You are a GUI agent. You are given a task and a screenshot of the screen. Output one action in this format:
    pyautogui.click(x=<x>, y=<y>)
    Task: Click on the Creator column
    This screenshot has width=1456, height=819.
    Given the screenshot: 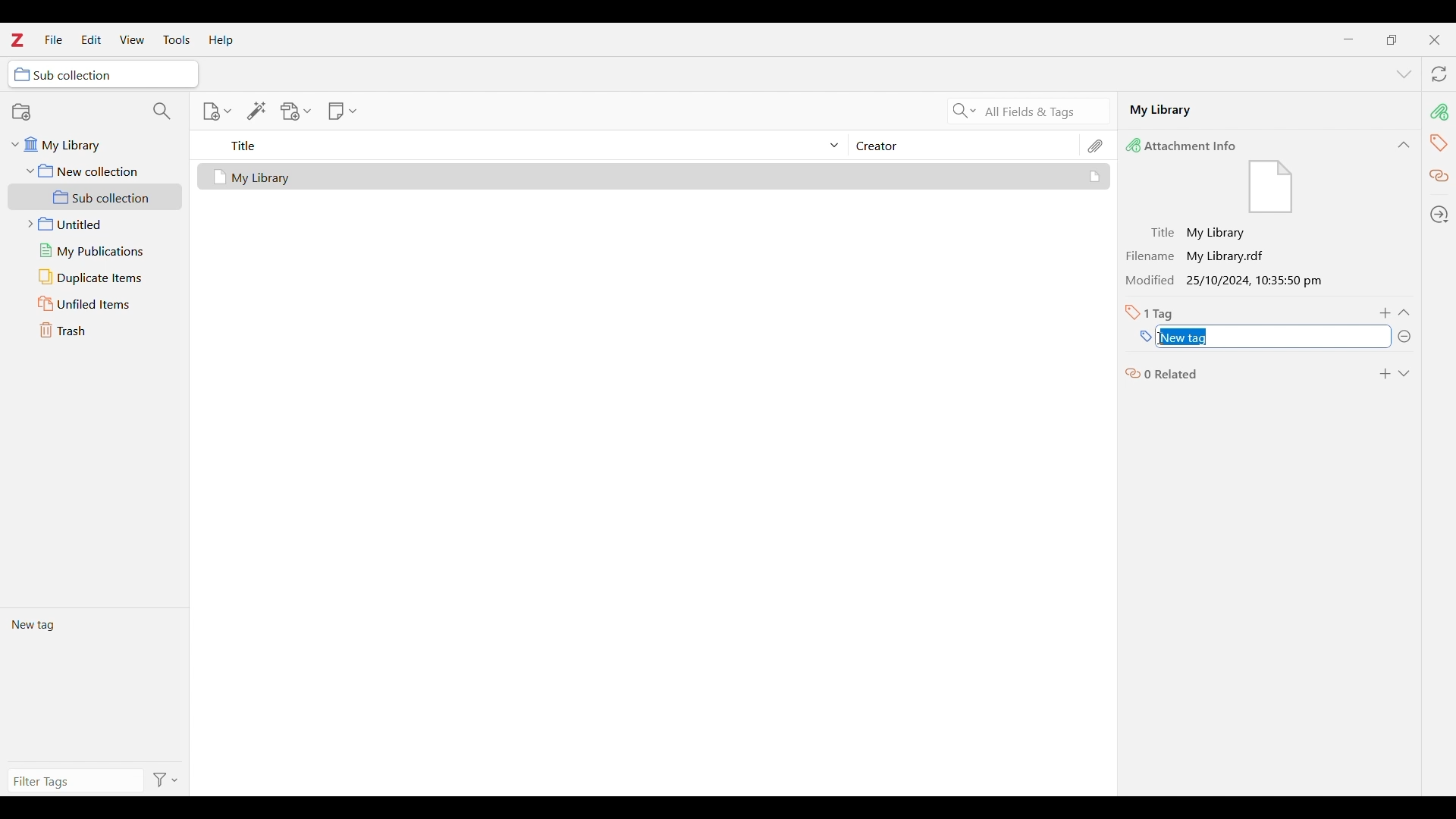 What is the action you would take?
    pyautogui.click(x=963, y=145)
    